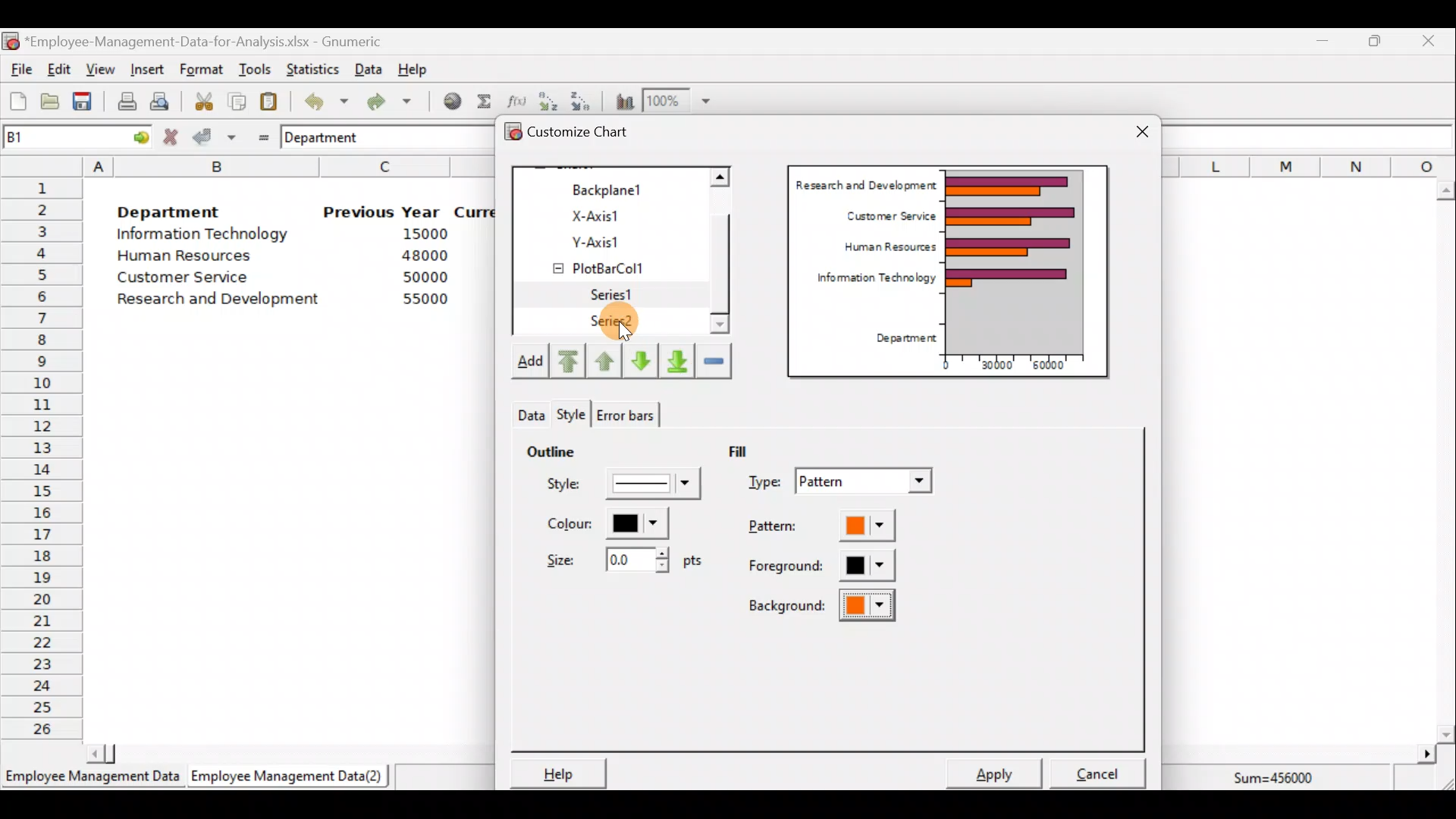  Describe the element at coordinates (419, 233) in the screenshot. I see `15000` at that location.